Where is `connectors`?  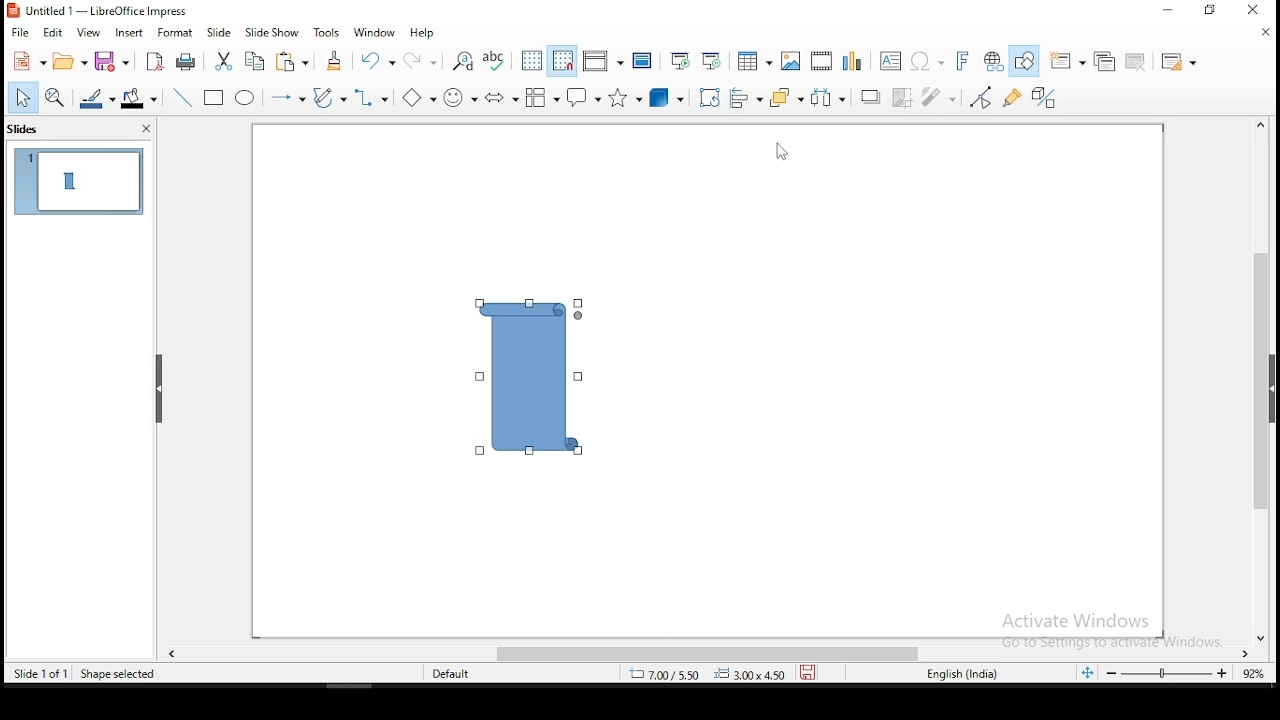
connectors is located at coordinates (375, 97).